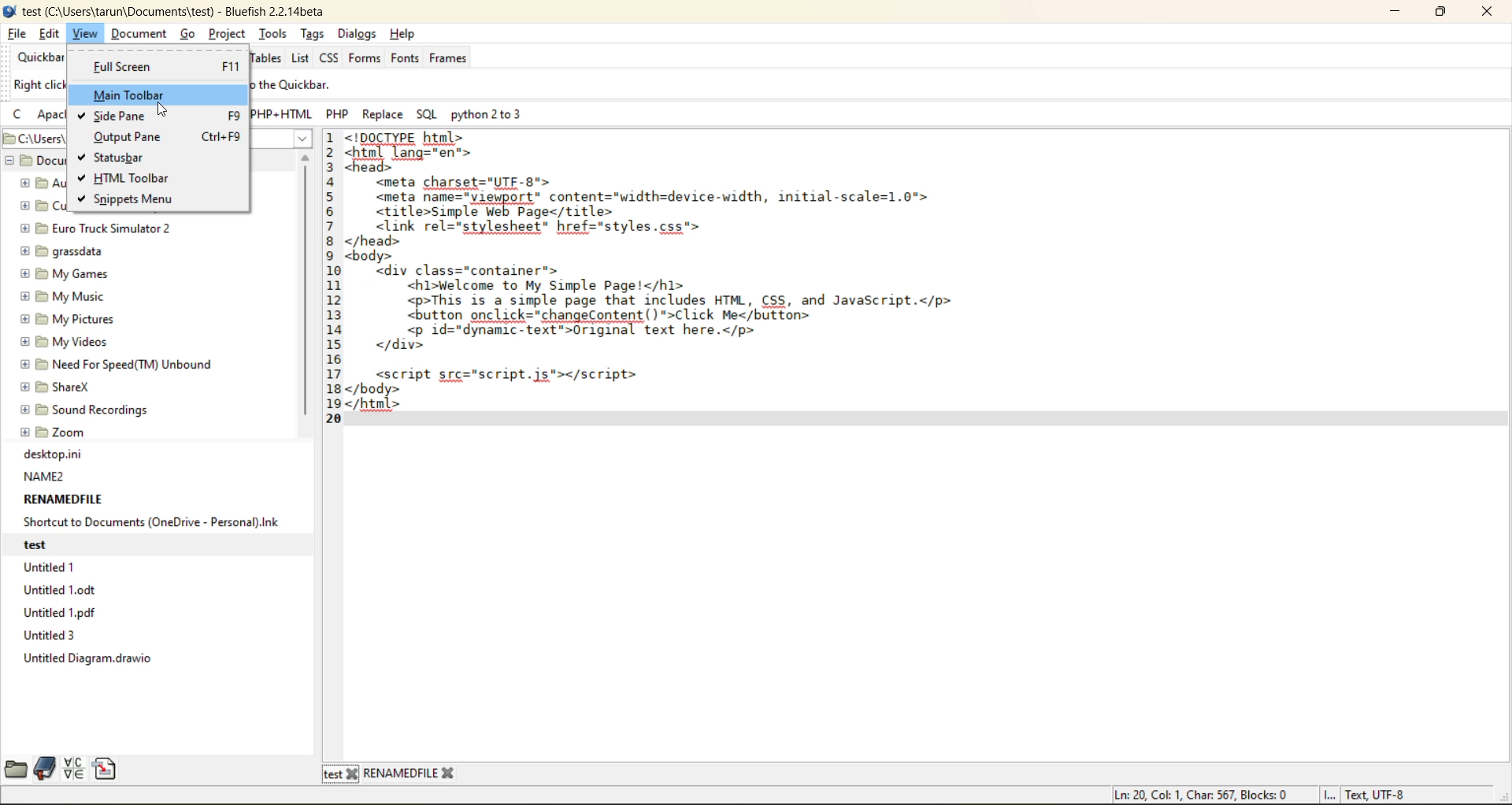 Image resolution: width=1512 pixels, height=805 pixels. I want to click on # 9 My Games, so click(64, 274).